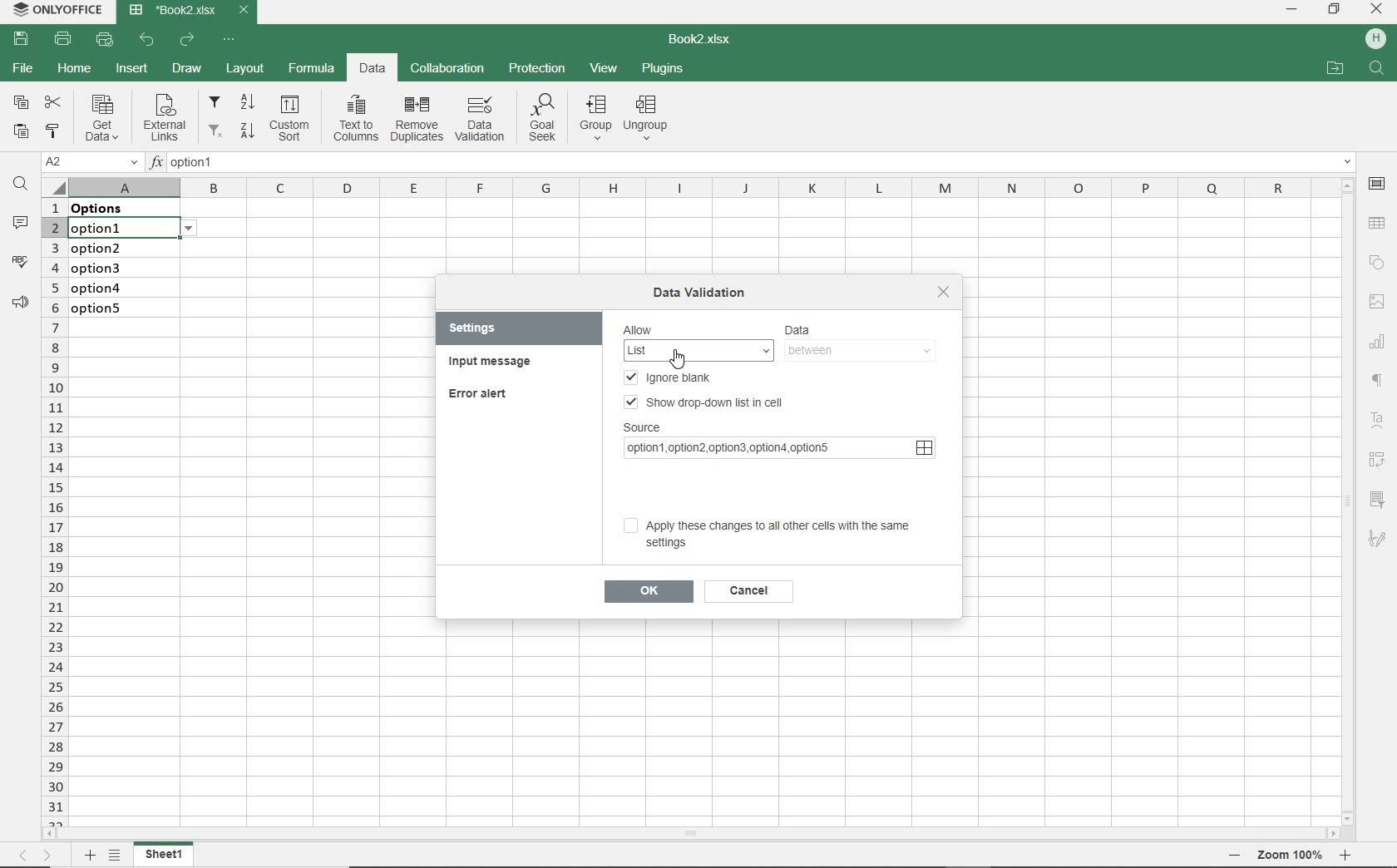 The height and width of the screenshot is (868, 1397). What do you see at coordinates (17, 303) in the screenshot?
I see `PARAGRAPH SETTINGS` at bounding box center [17, 303].